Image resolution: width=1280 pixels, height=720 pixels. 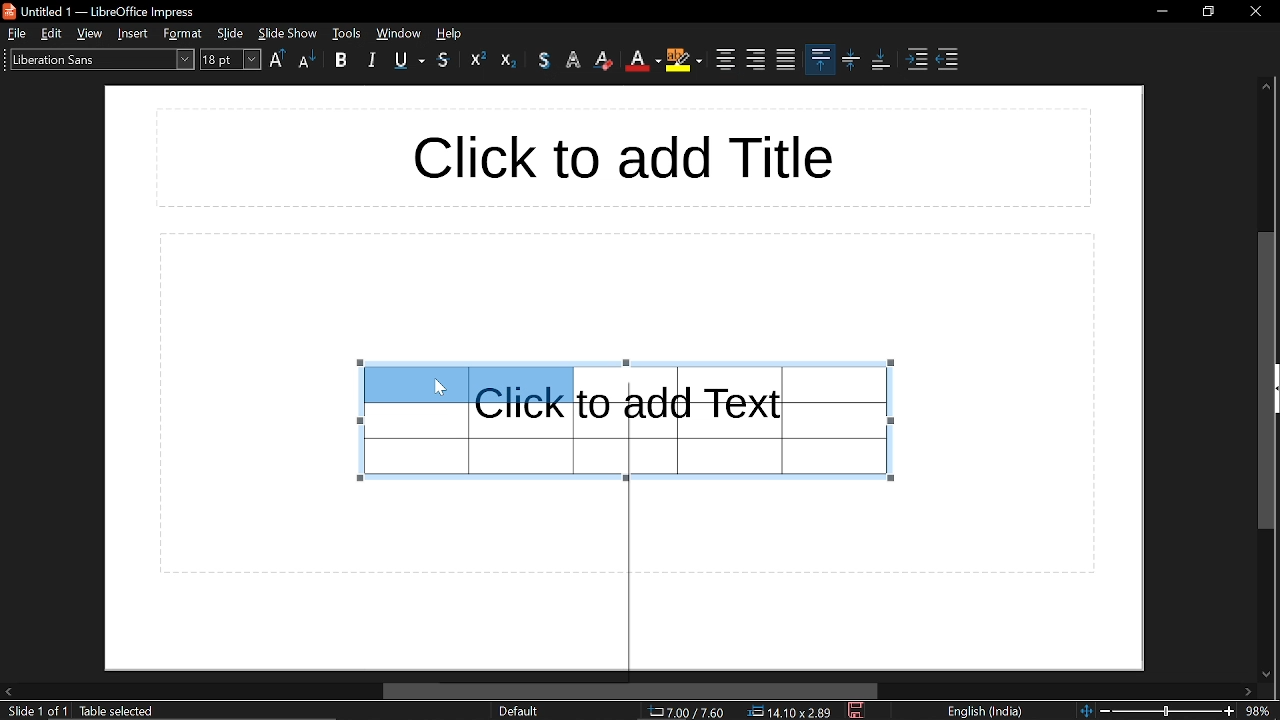 I want to click on zoom out, so click(x=1105, y=710).